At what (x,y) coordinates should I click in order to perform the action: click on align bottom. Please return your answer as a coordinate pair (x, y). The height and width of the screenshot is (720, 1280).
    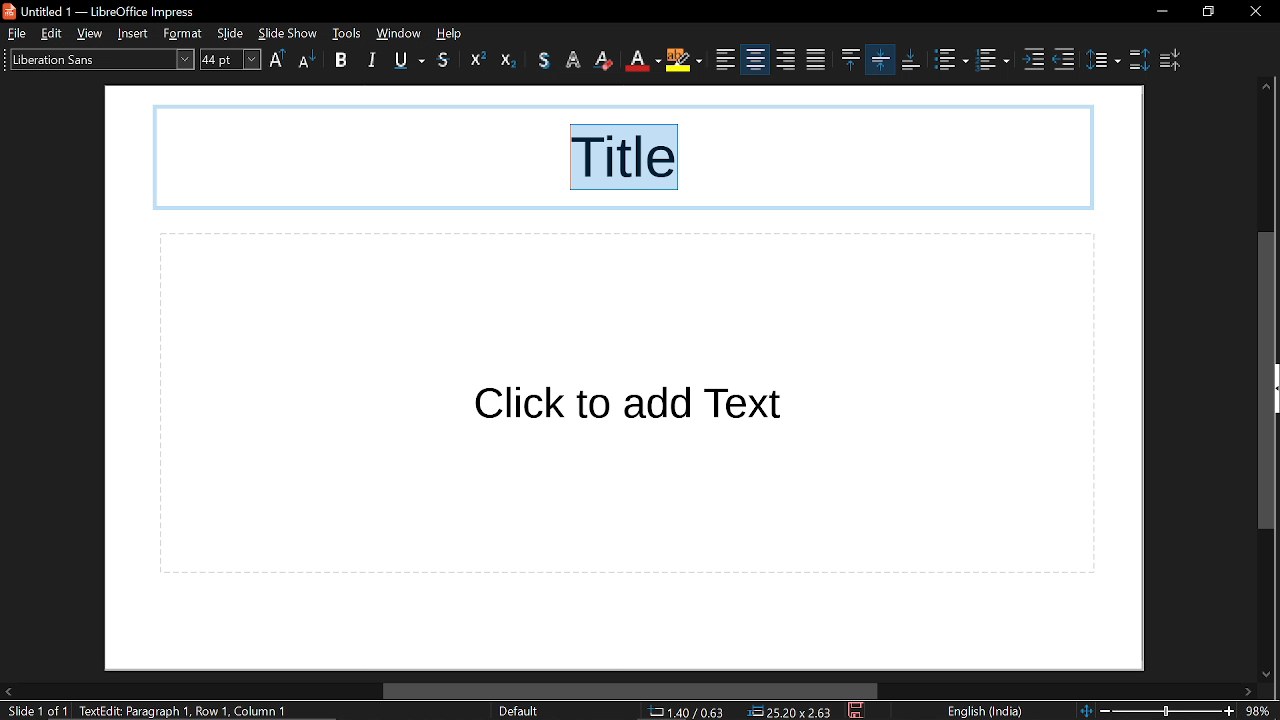
    Looking at the image, I should click on (911, 60).